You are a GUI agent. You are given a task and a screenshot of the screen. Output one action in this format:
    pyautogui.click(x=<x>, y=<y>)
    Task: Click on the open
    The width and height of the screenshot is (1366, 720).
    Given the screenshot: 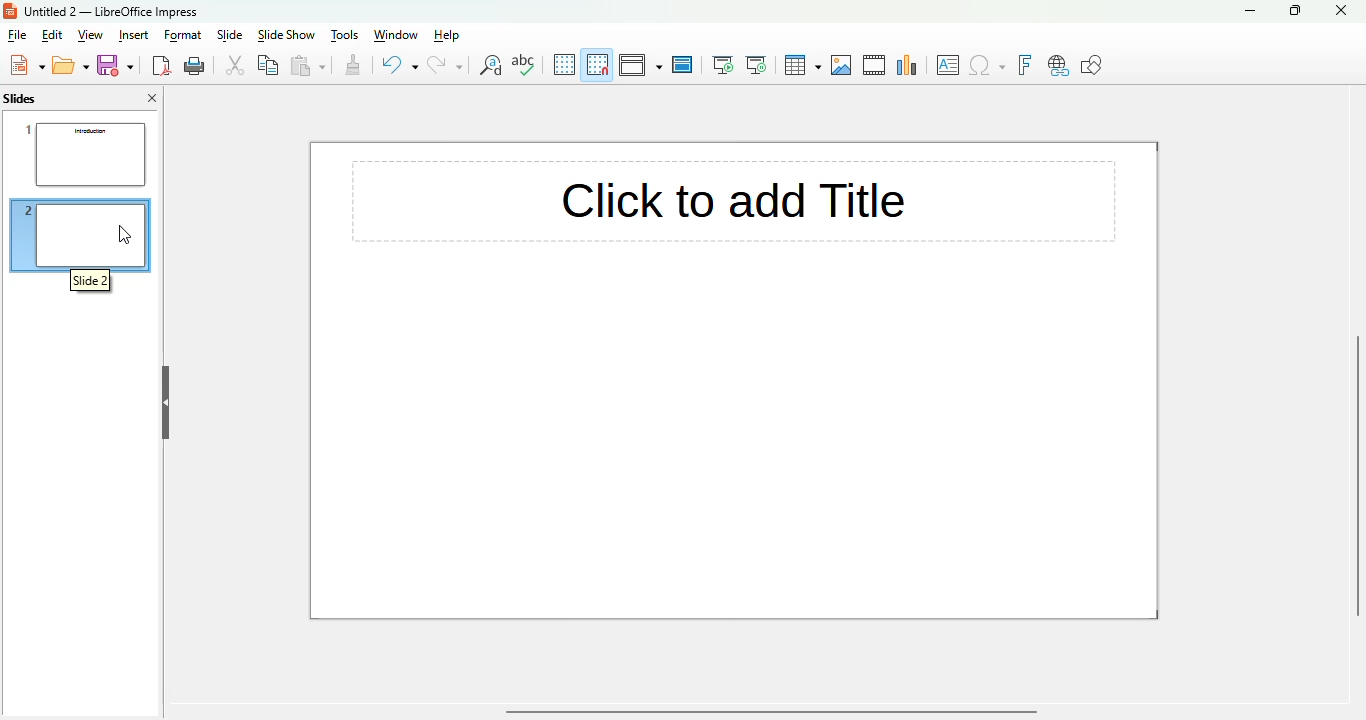 What is the action you would take?
    pyautogui.click(x=71, y=65)
    